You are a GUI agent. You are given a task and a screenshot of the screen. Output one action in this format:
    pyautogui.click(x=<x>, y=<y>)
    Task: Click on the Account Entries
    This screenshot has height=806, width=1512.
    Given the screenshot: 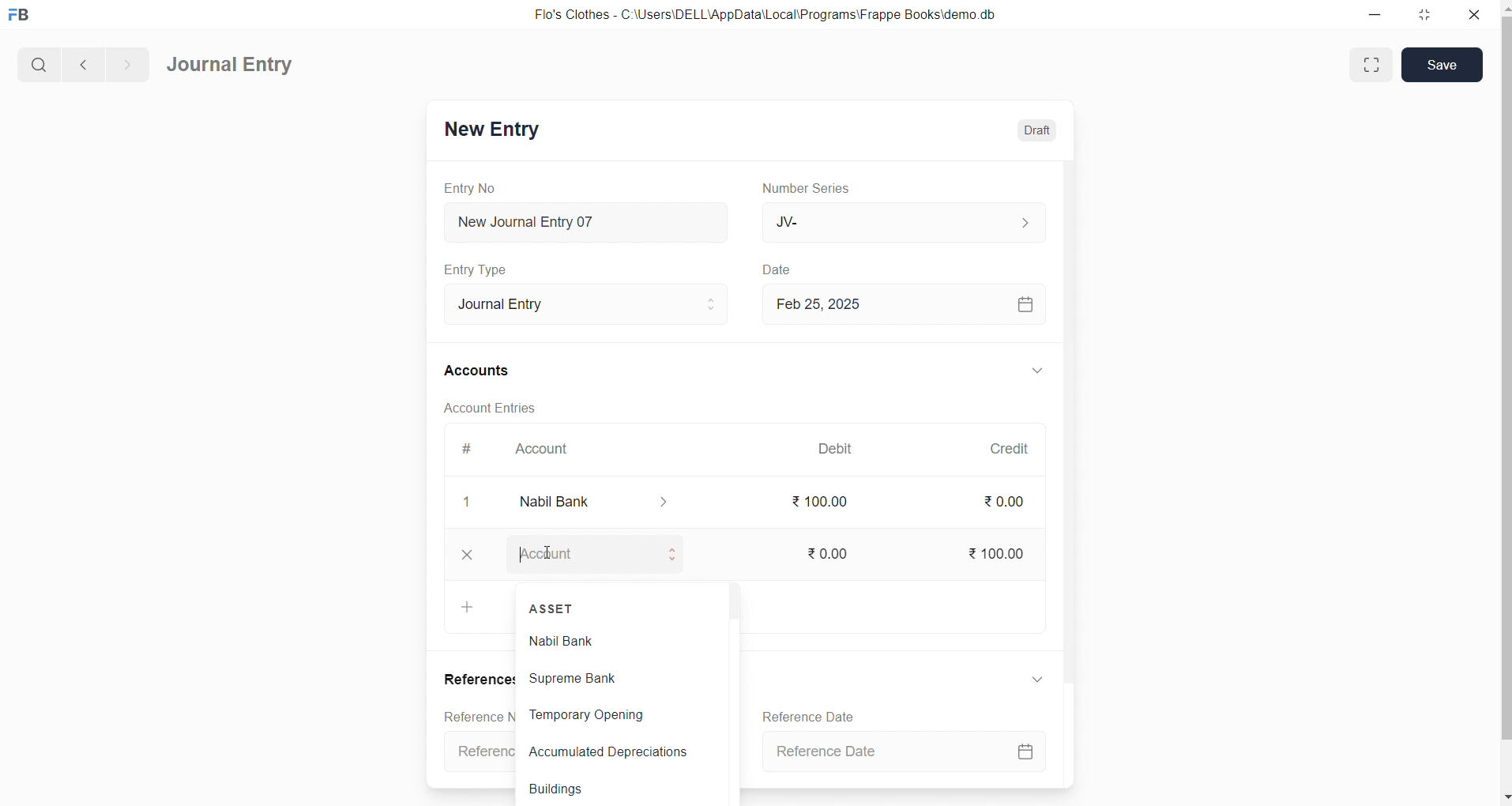 What is the action you would take?
    pyautogui.click(x=485, y=407)
    